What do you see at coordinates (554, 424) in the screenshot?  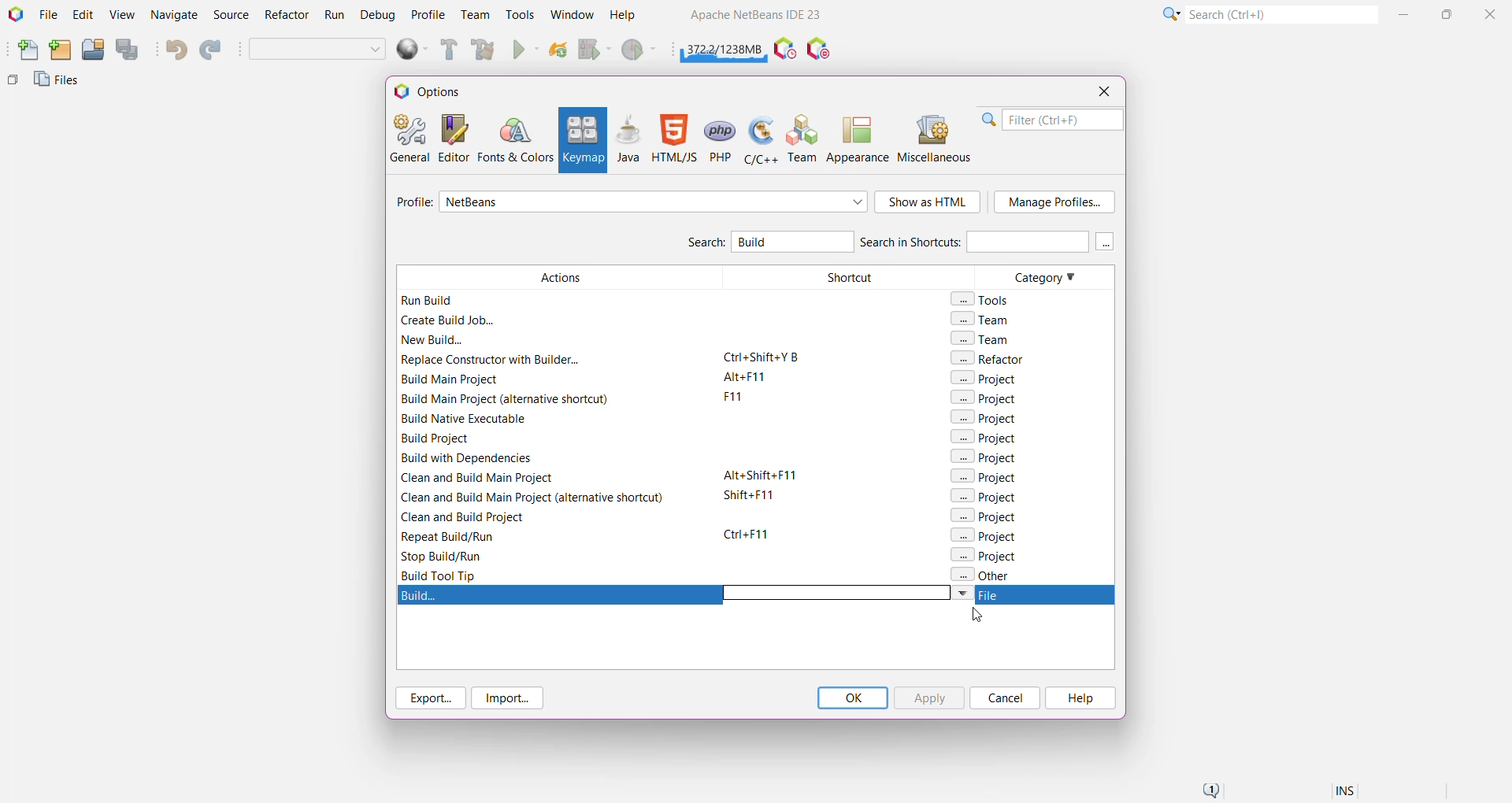 I see `Actions` at bounding box center [554, 424].